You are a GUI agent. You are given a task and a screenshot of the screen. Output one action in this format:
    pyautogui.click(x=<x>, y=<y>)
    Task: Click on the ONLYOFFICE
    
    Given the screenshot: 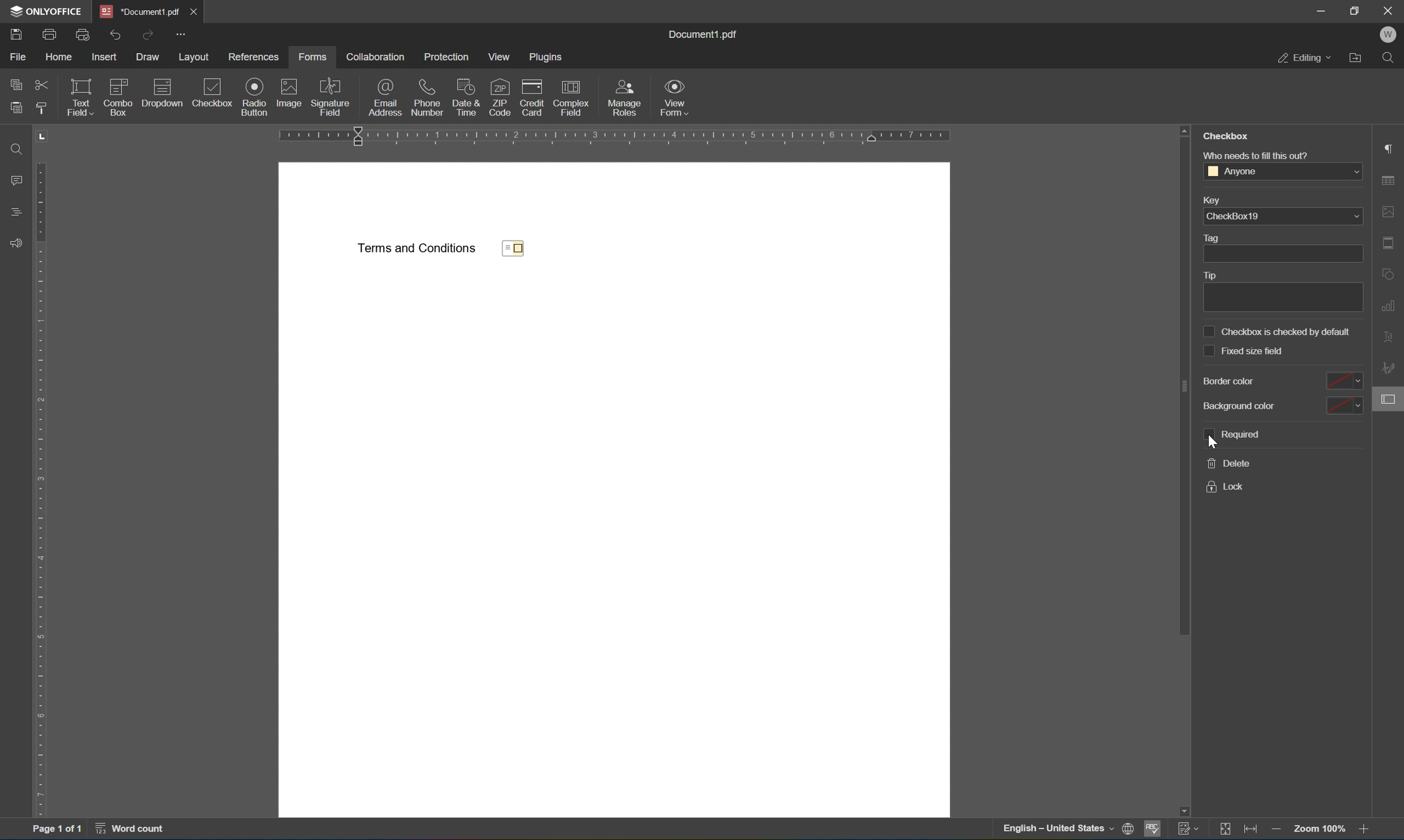 What is the action you would take?
    pyautogui.click(x=42, y=10)
    